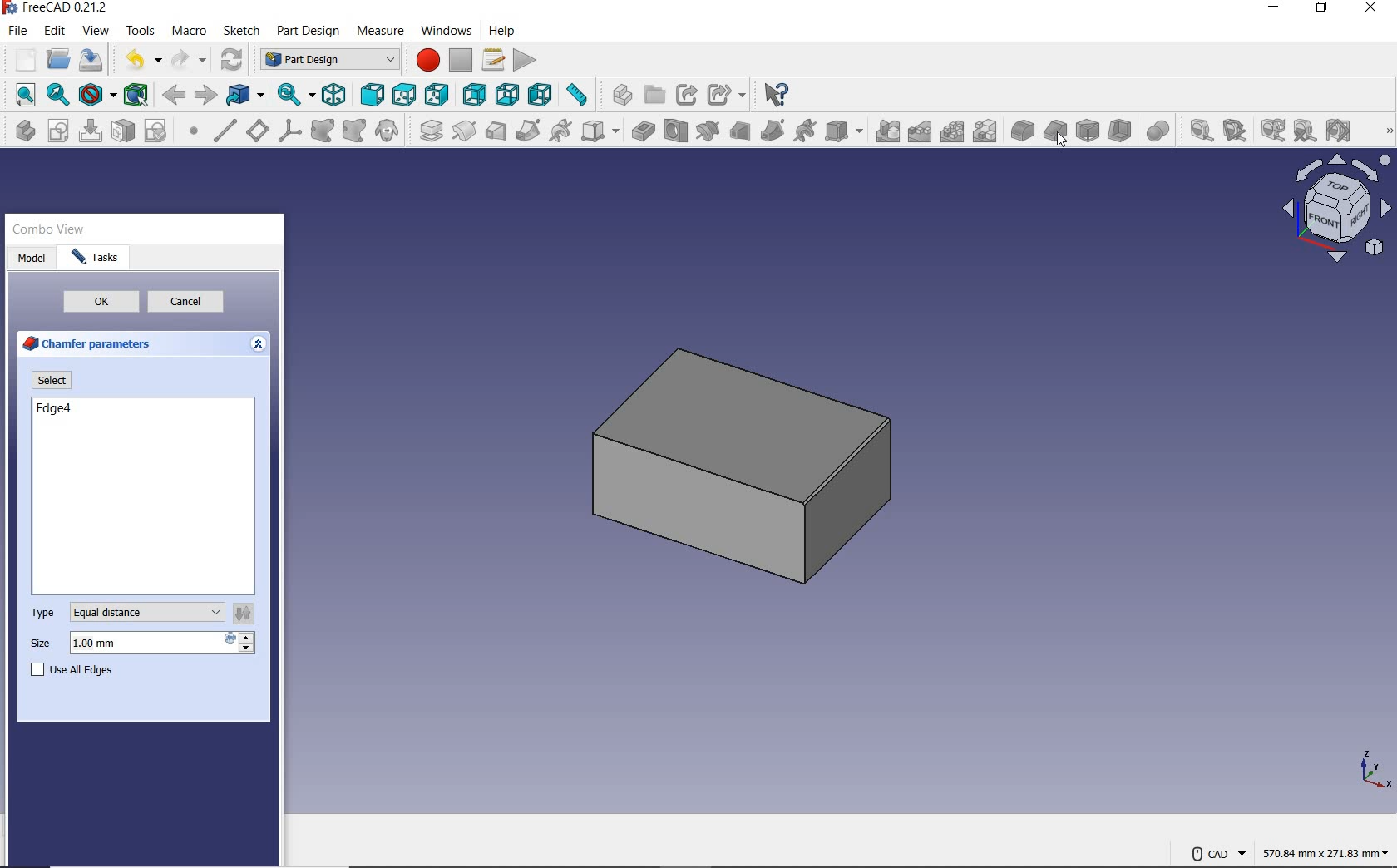  I want to click on measure linear, so click(1196, 129).